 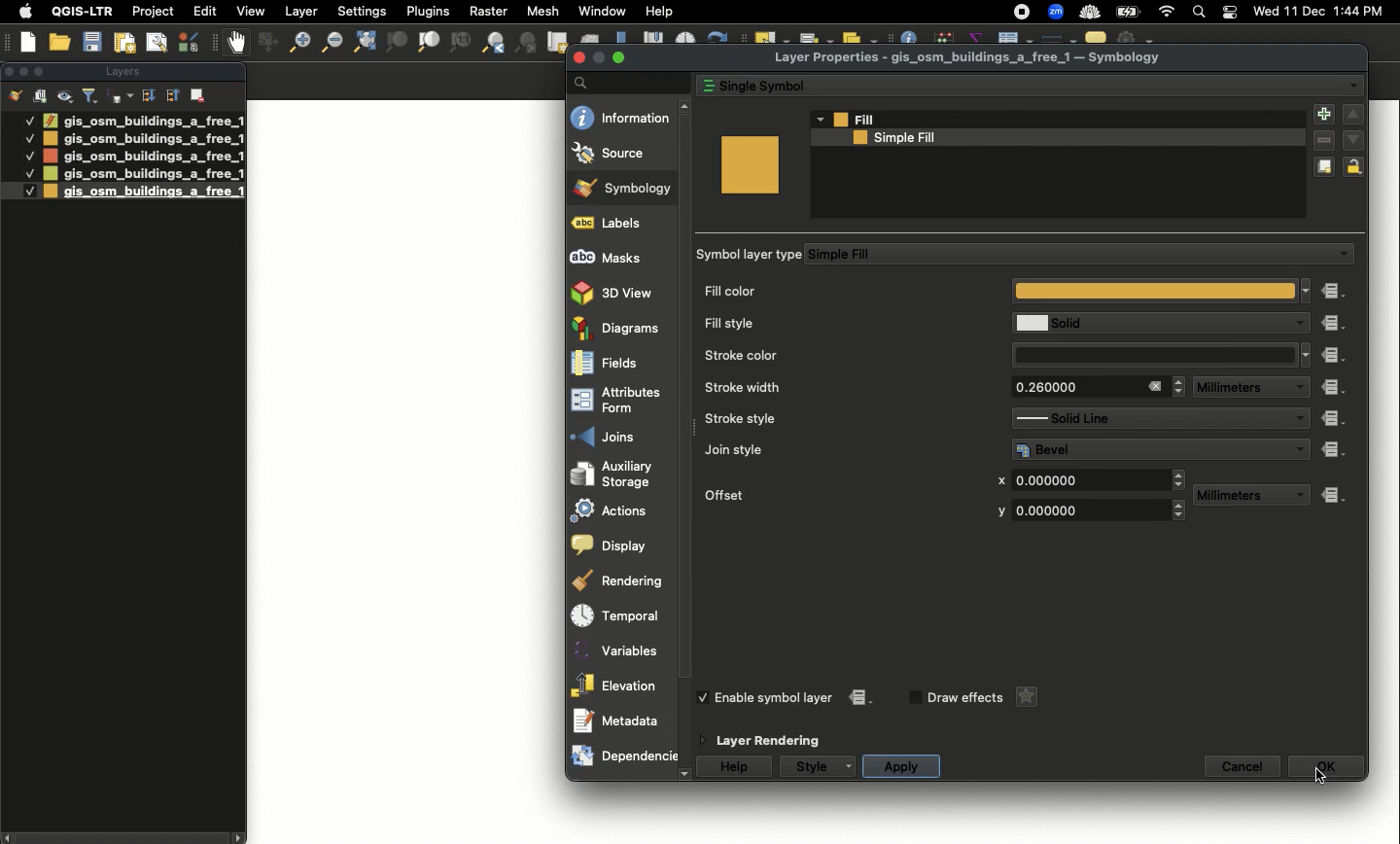 I want to click on Solid, so click(x=1144, y=323).